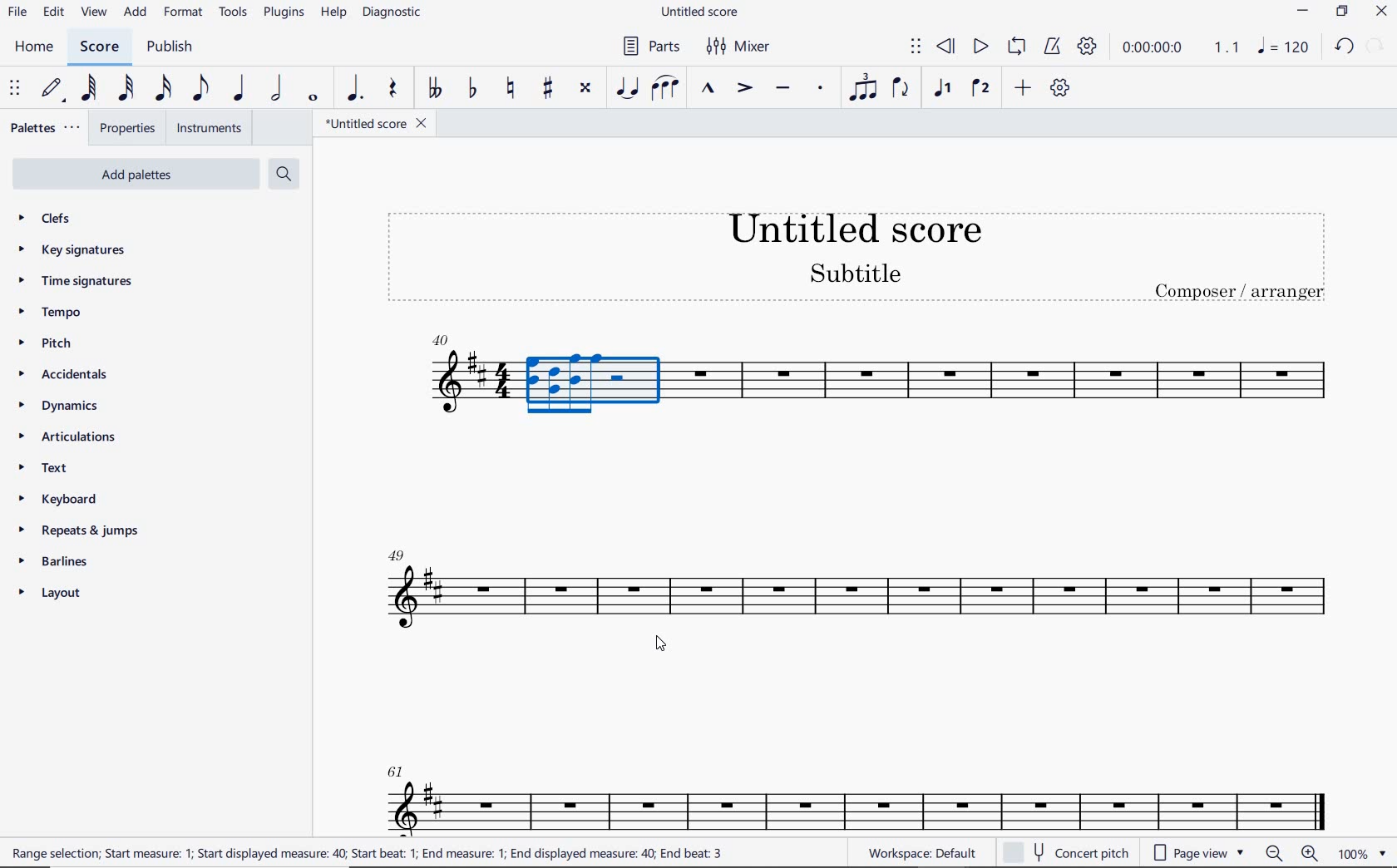  I want to click on FORMAT, so click(185, 13).